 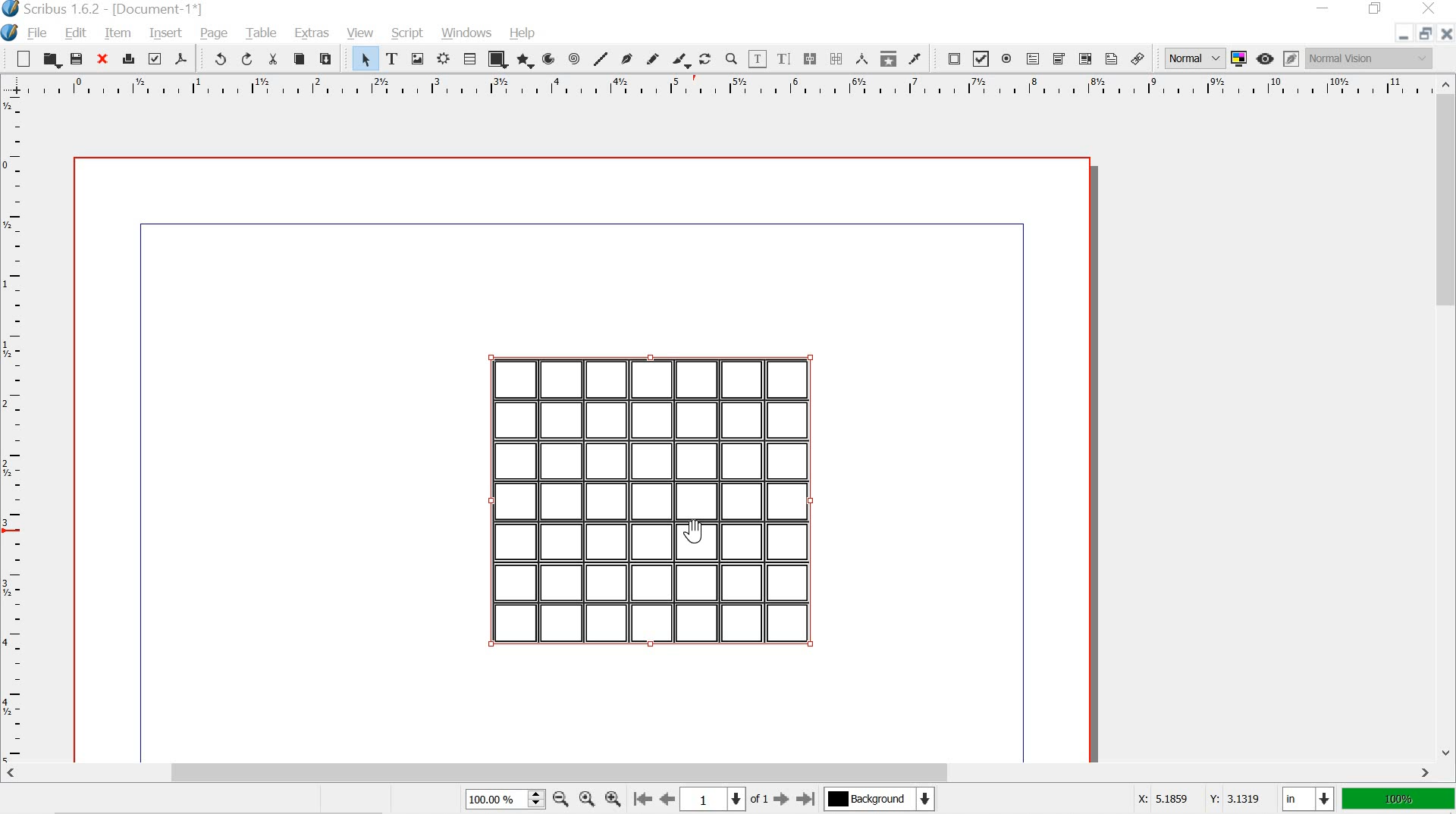 What do you see at coordinates (393, 59) in the screenshot?
I see `text frame` at bounding box center [393, 59].